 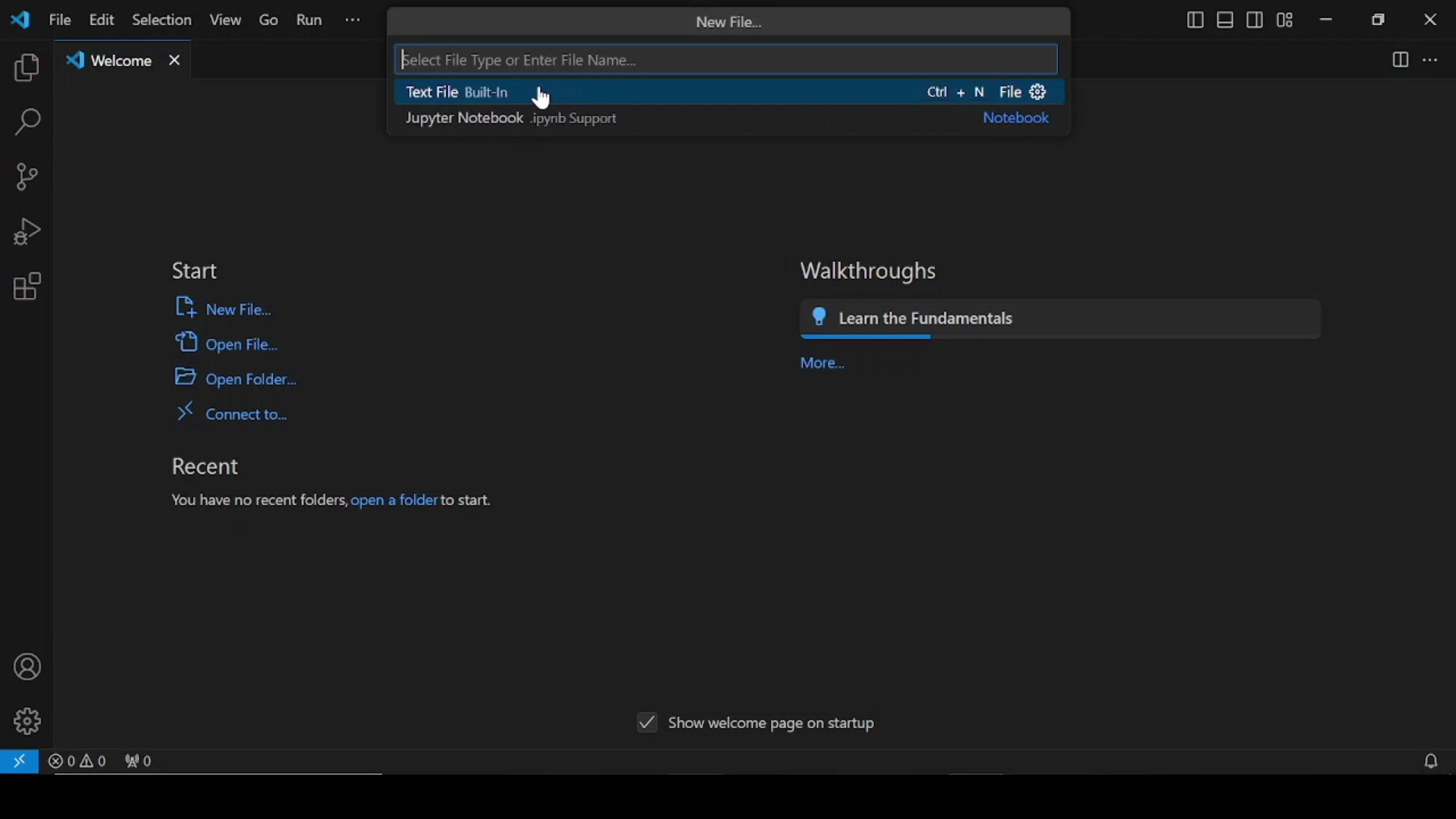 What do you see at coordinates (19, 20) in the screenshot?
I see `vscode` at bounding box center [19, 20].